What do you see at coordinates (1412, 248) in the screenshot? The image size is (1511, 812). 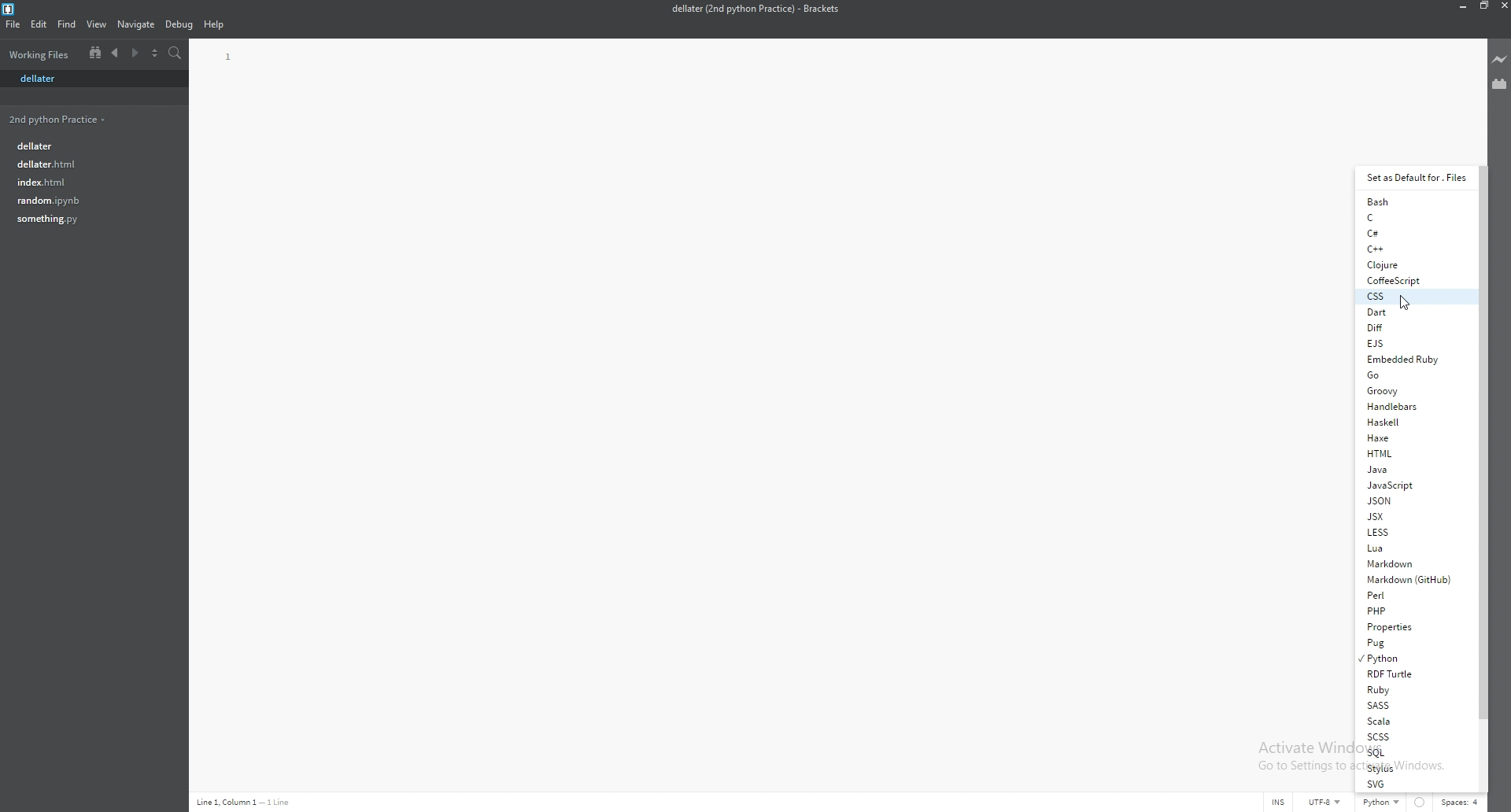 I see `c++` at bounding box center [1412, 248].